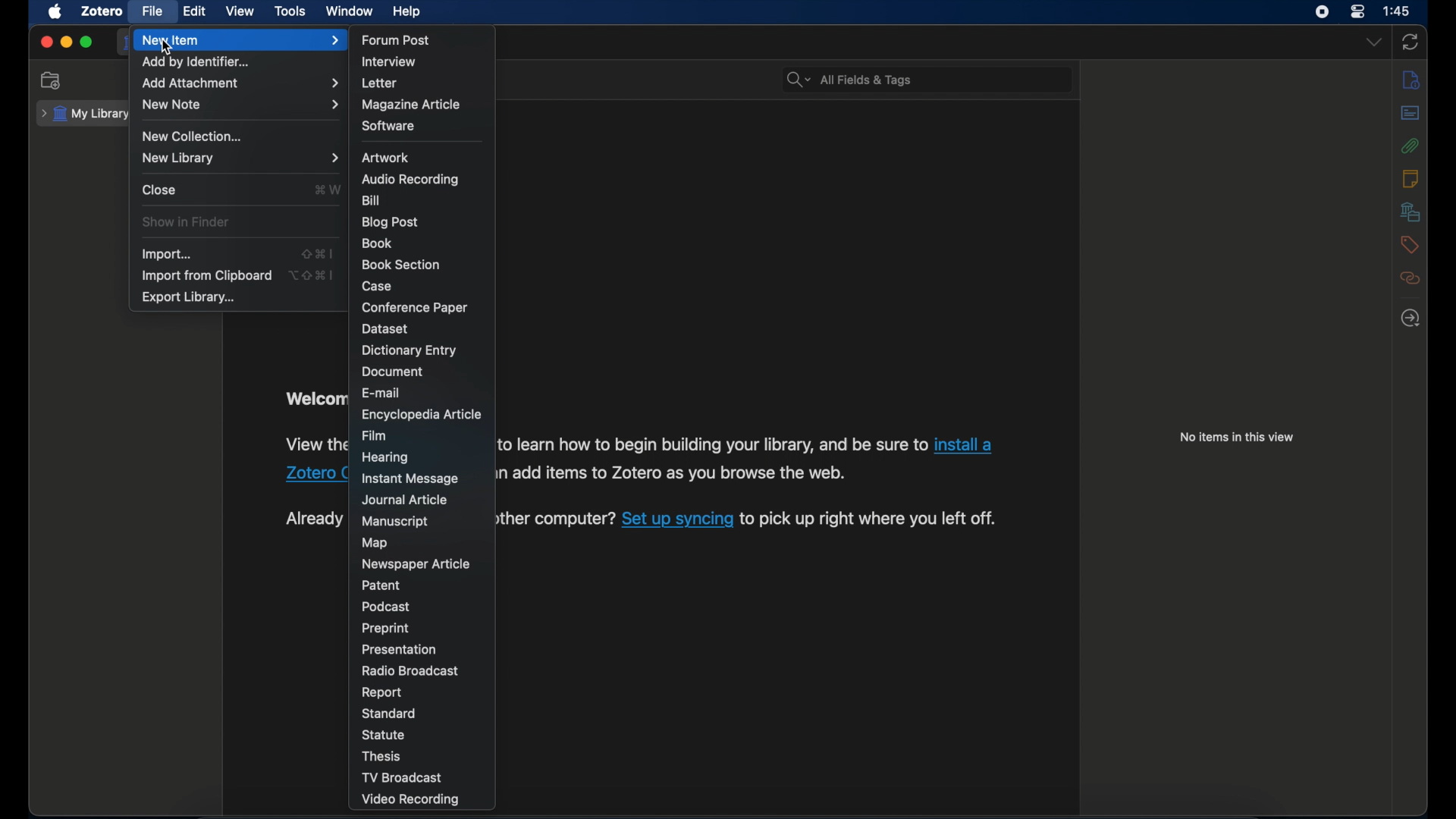  I want to click on edit, so click(196, 12).